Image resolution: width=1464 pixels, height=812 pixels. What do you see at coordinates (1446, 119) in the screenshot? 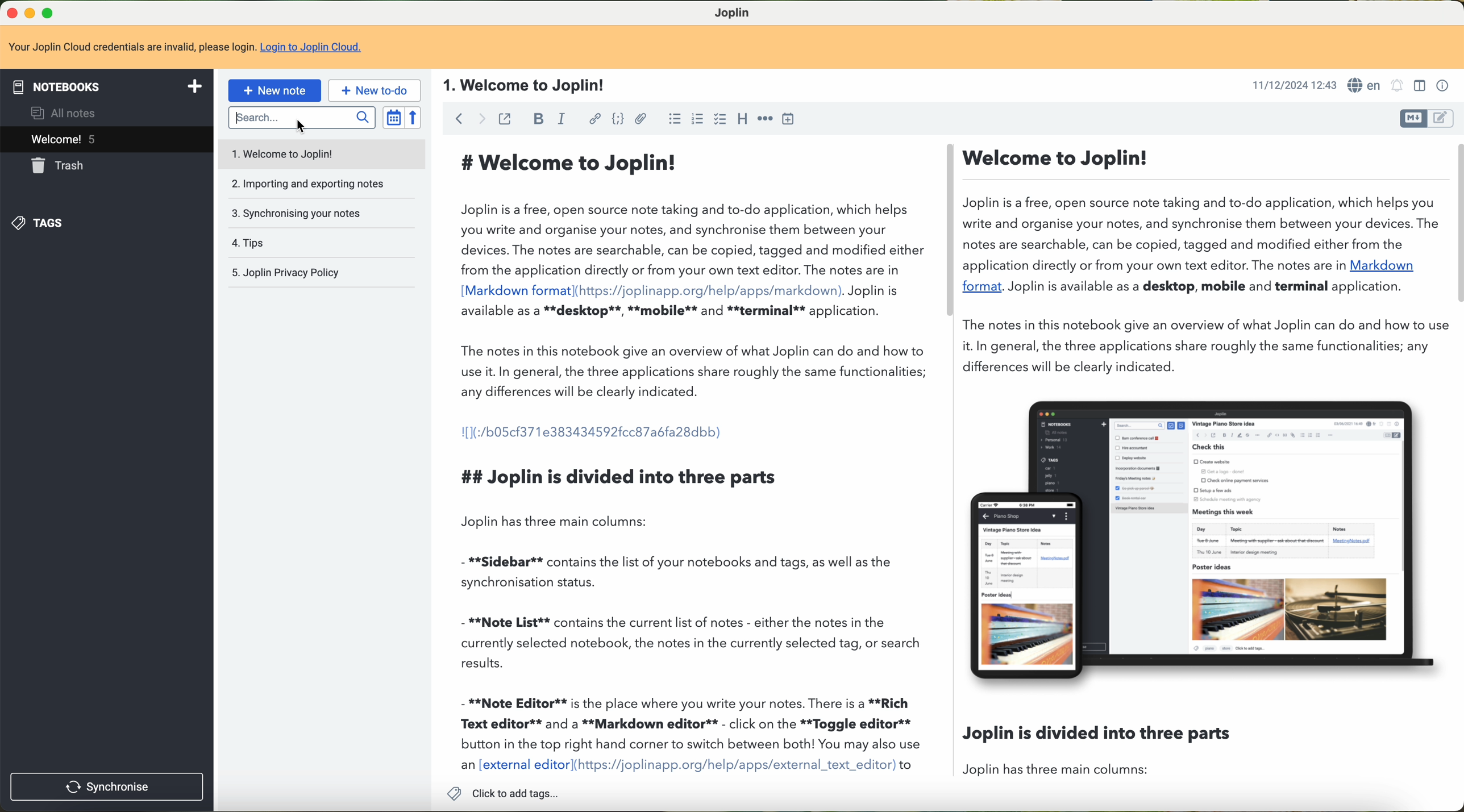
I see `toggle editors` at bounding box center [1446, 119].